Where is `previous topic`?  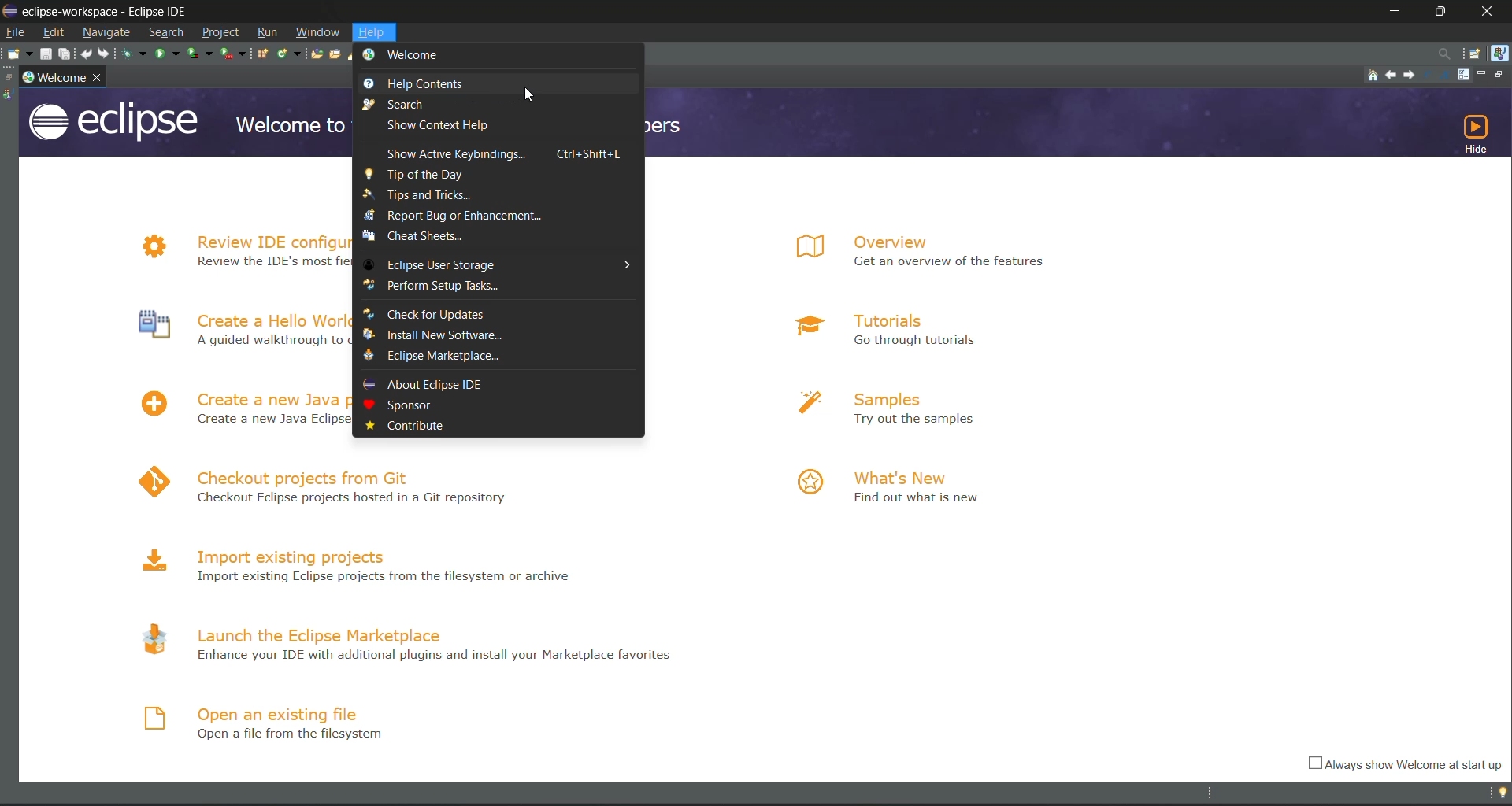 previous topic is located at coordinates (1392, 75).